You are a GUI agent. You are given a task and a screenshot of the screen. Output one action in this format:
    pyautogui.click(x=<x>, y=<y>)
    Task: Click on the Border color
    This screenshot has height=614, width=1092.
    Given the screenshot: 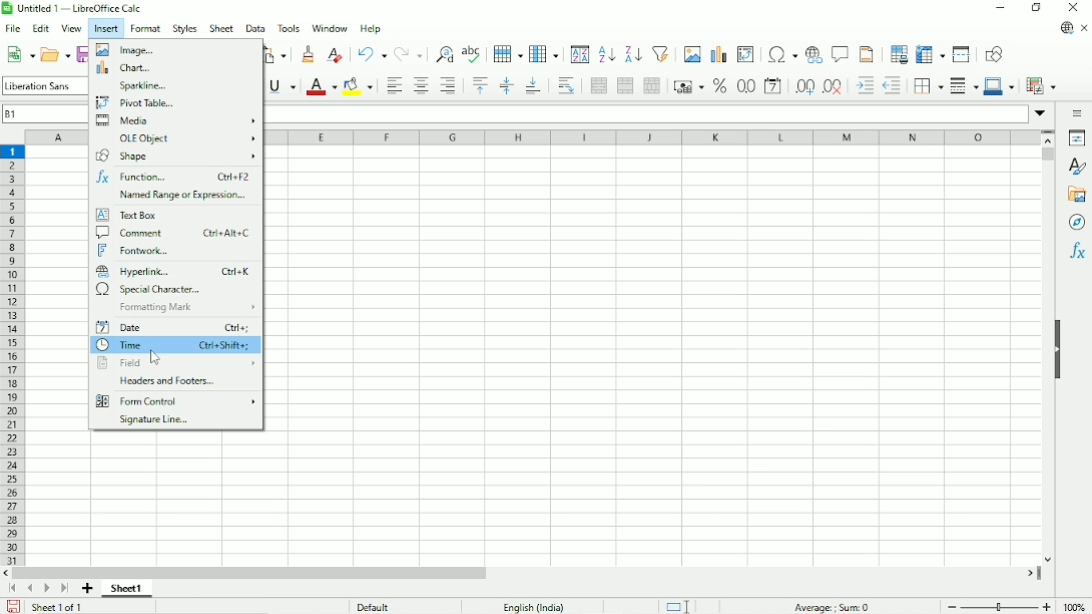 What is the action you would take?
    pyautogui.click(x=1000, y=86)
    